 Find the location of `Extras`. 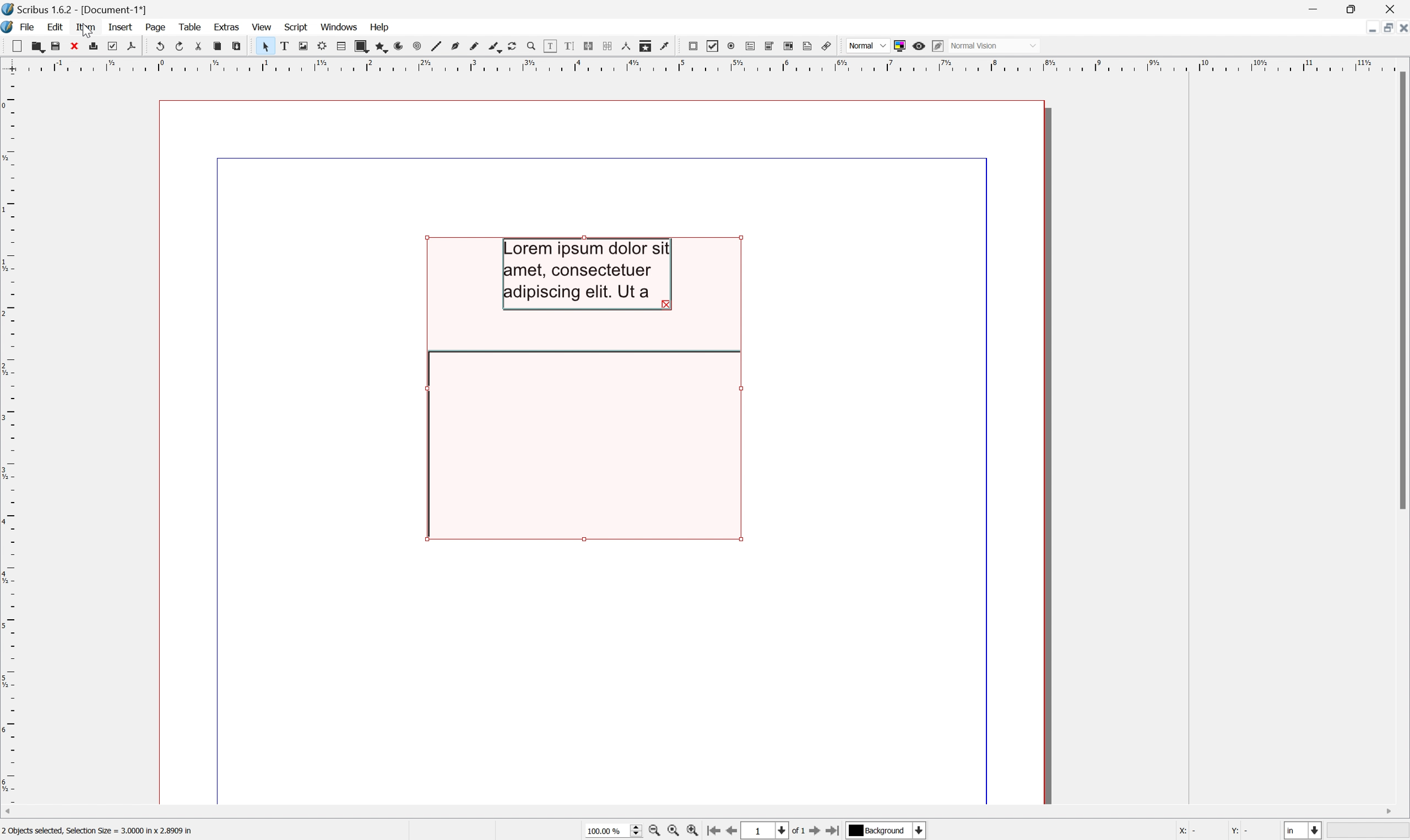

Extras is located at coordinates (227, 28).